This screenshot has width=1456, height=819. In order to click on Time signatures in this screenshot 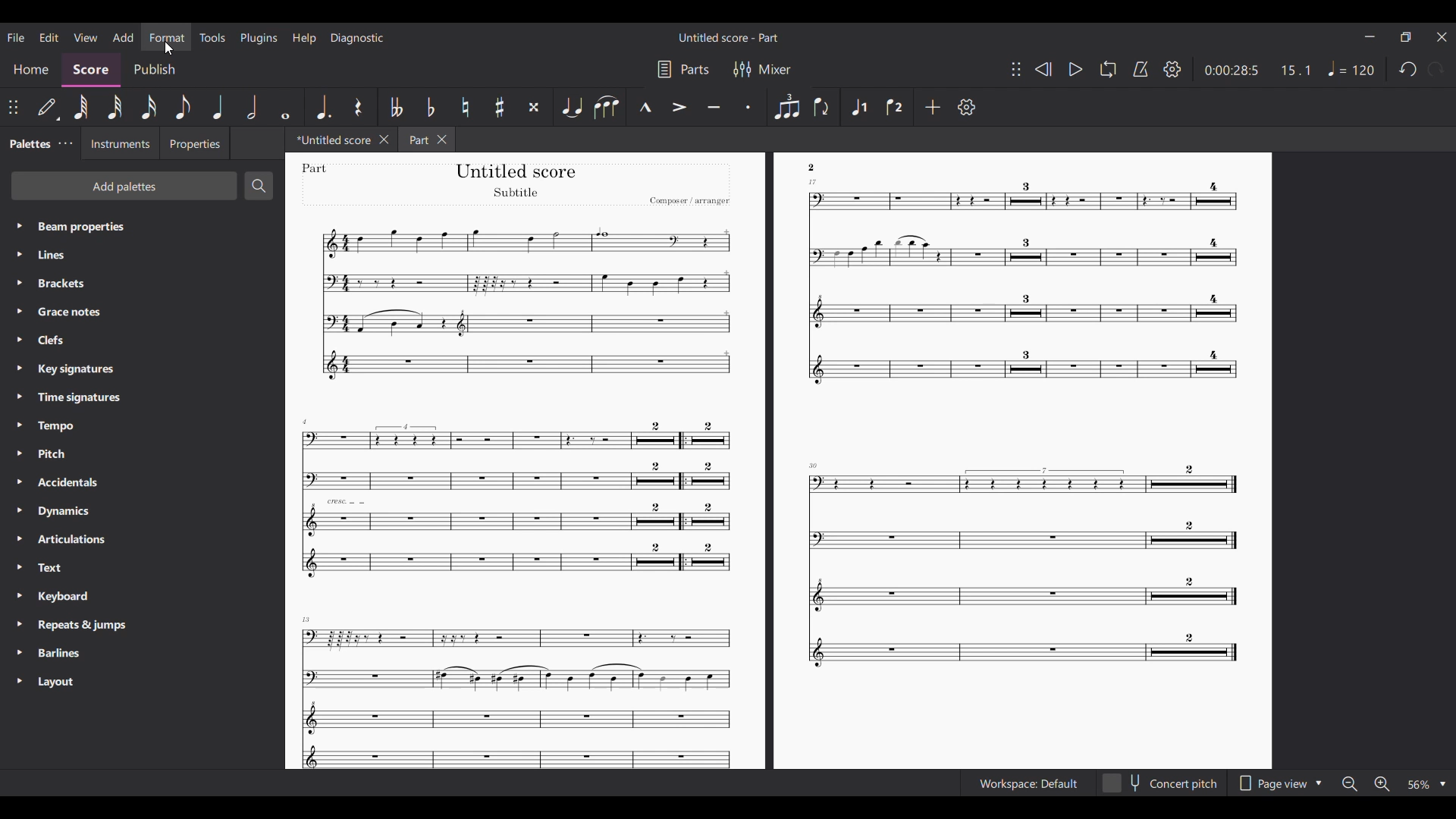, I will do `click(72, 399)`.